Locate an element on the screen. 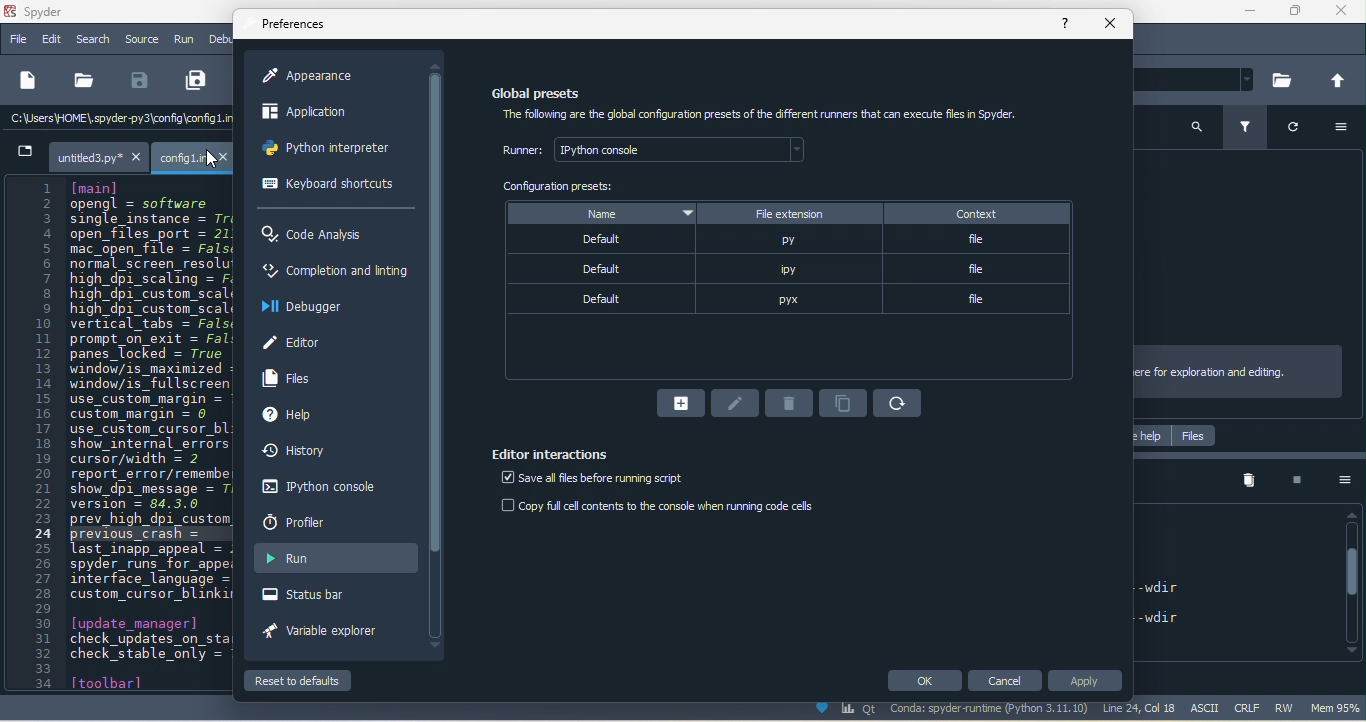 This screenshot has width=1366, height=722. new is located at coordinates (26, 79).